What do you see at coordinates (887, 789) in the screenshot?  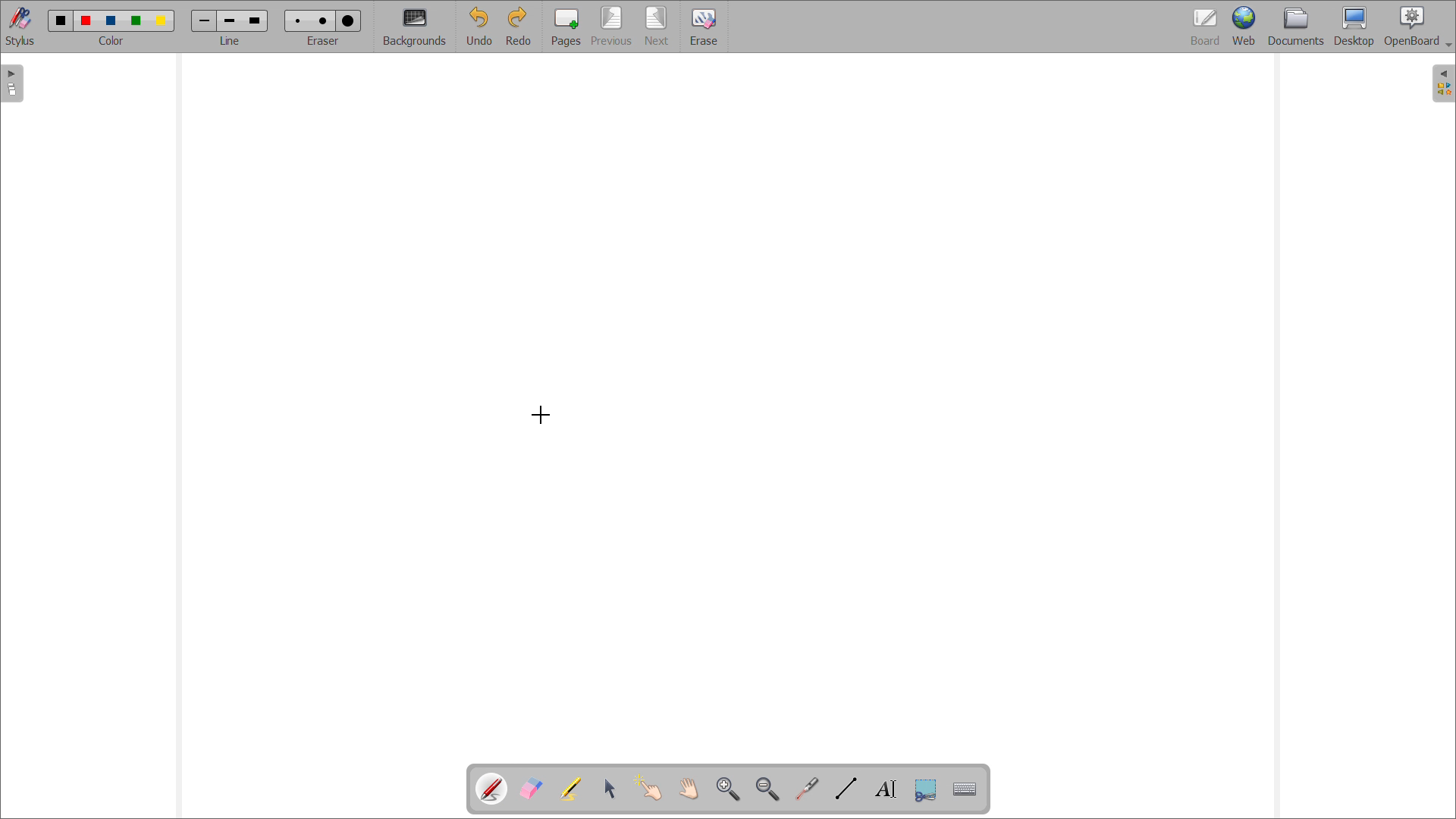 I see `draw text` at bounding box center [887, 789].